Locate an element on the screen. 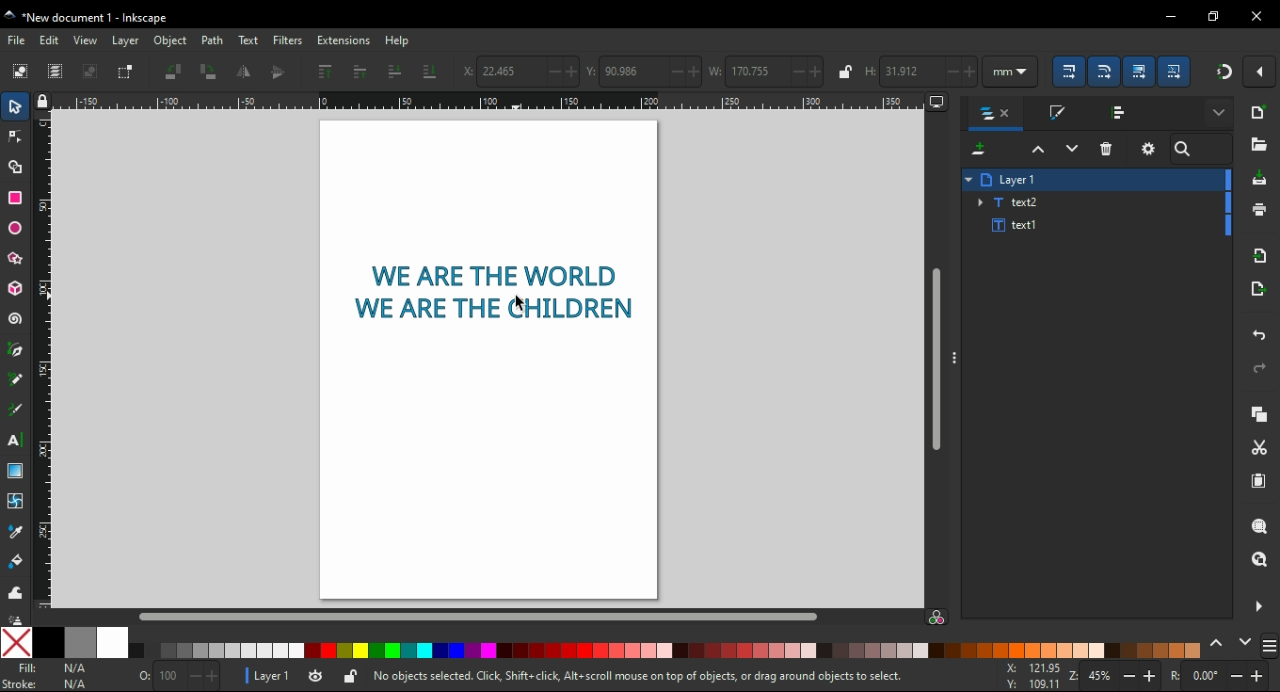 This screenshot has width=1280, height=692. new is located at coordinates (1257, 113).